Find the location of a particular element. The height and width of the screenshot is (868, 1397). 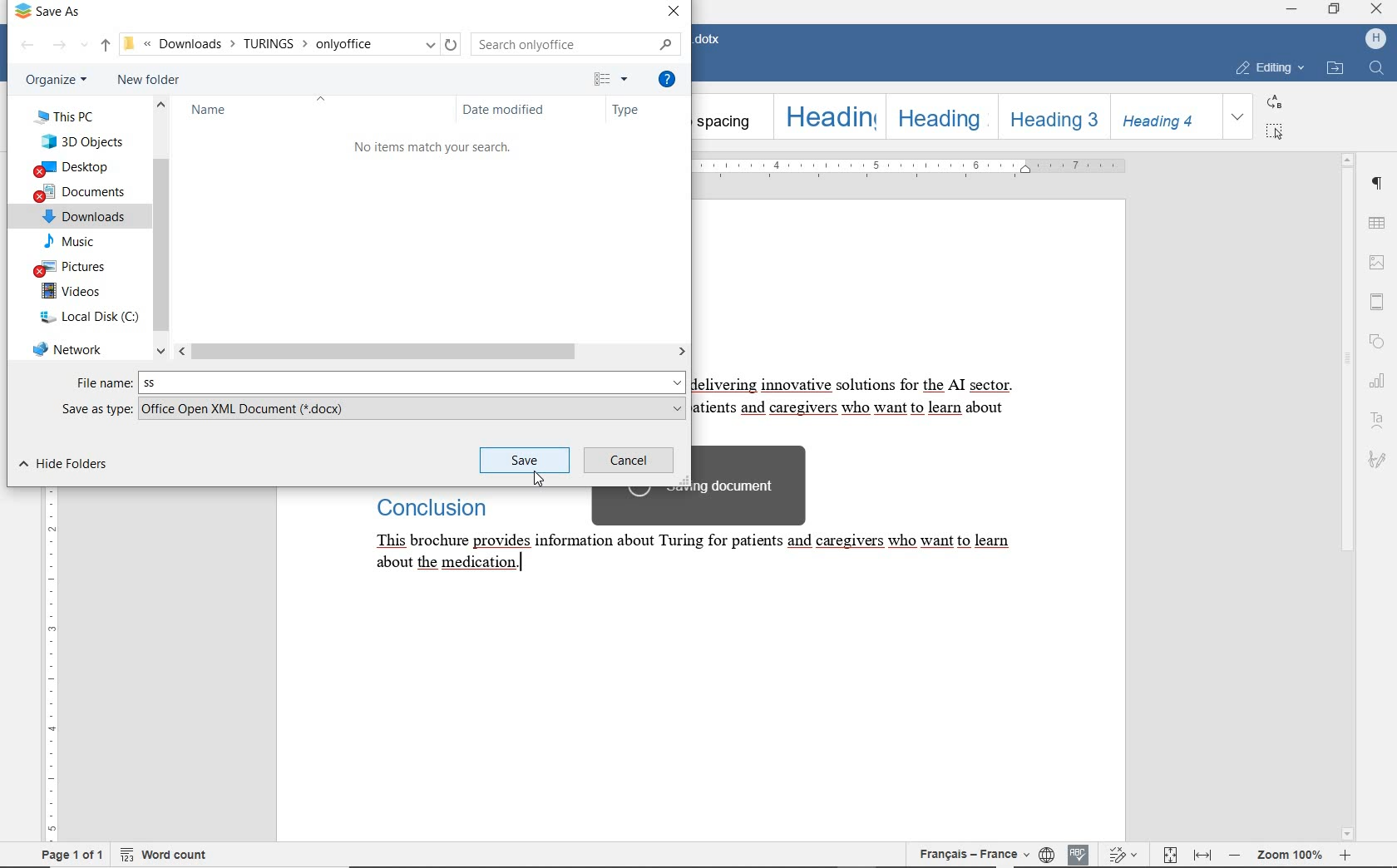

SPELL CHECKING is located at coordinates (1079, 852).